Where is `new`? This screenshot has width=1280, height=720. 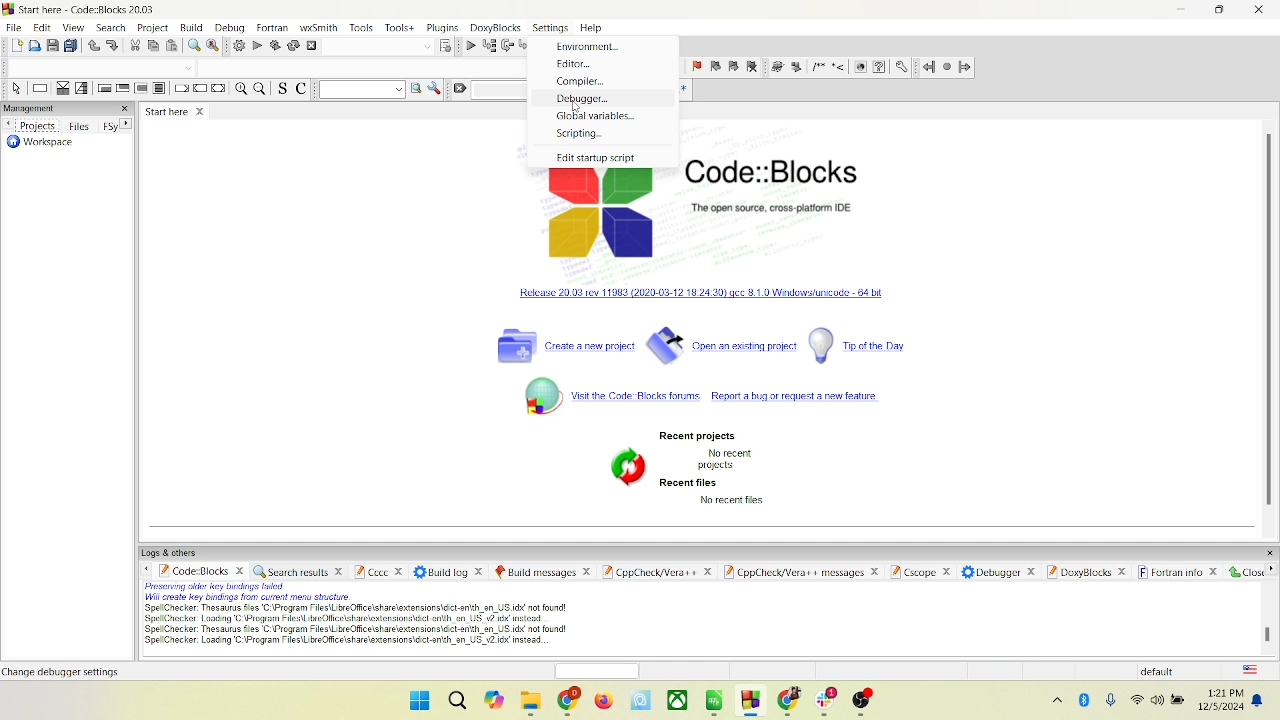 new is located at coordinates (17, 44).